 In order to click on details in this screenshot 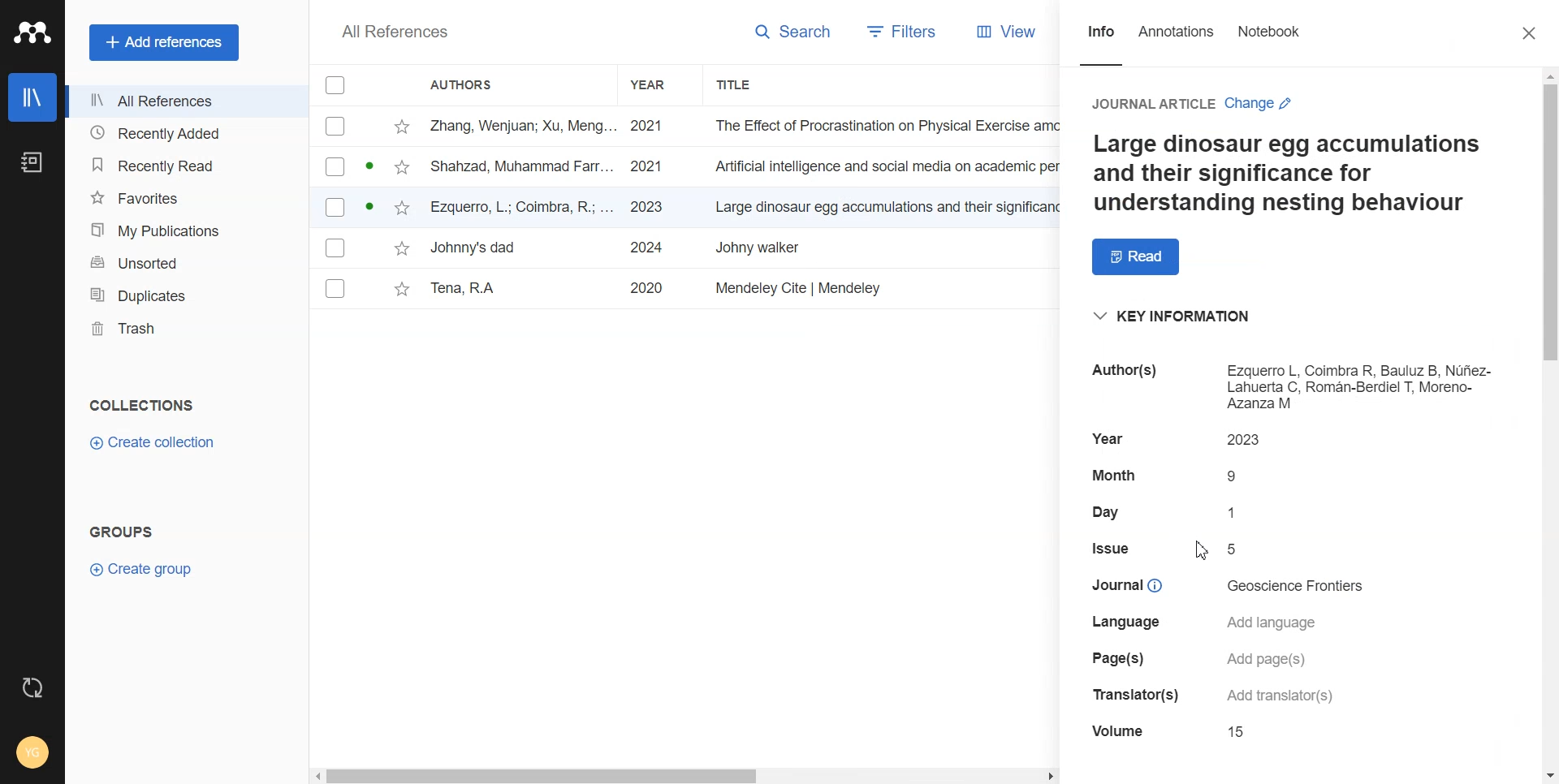, I will do `click(1108, 514)`.